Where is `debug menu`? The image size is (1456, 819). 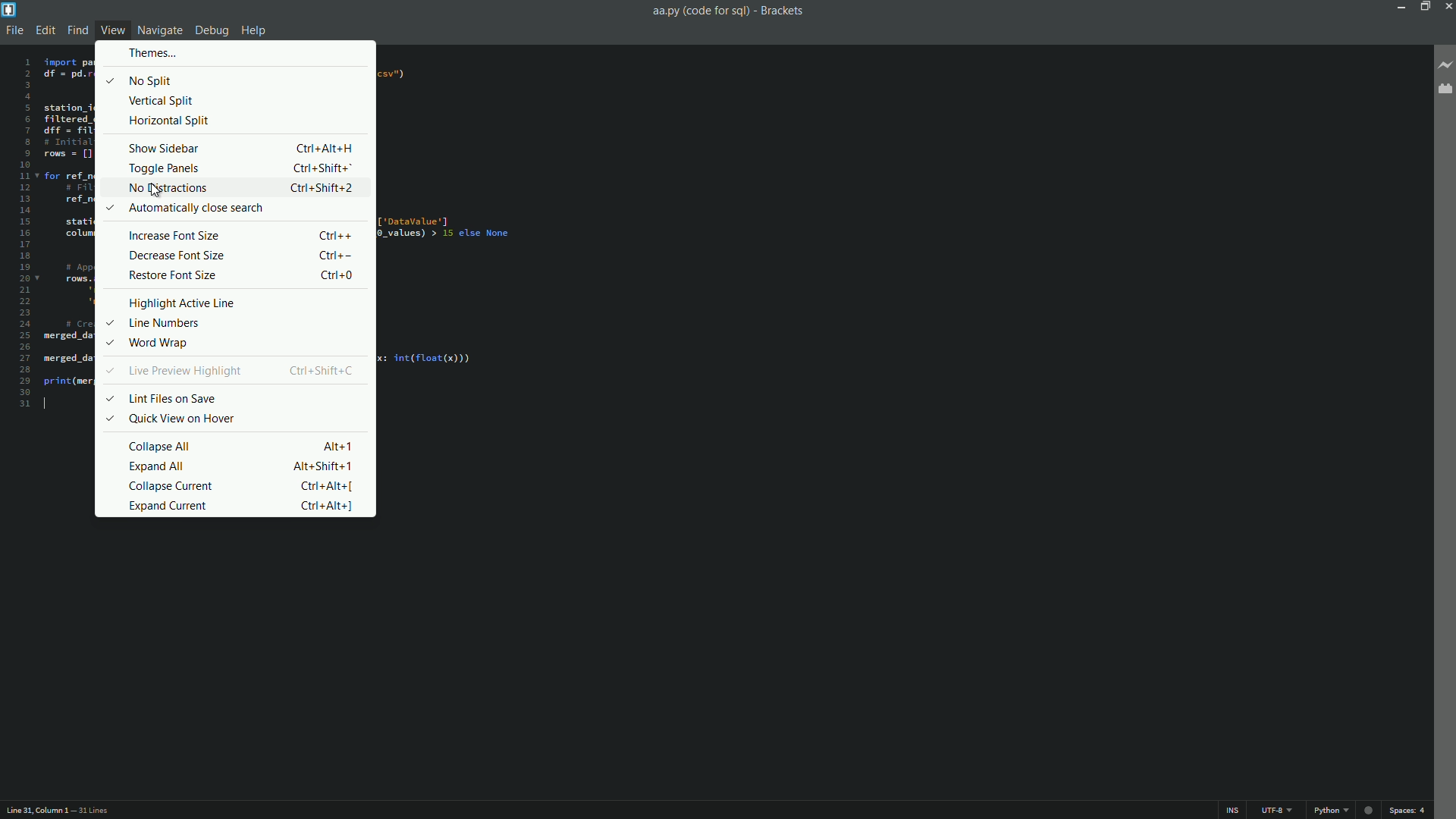
debug menu is located at coordinates (211, 30).